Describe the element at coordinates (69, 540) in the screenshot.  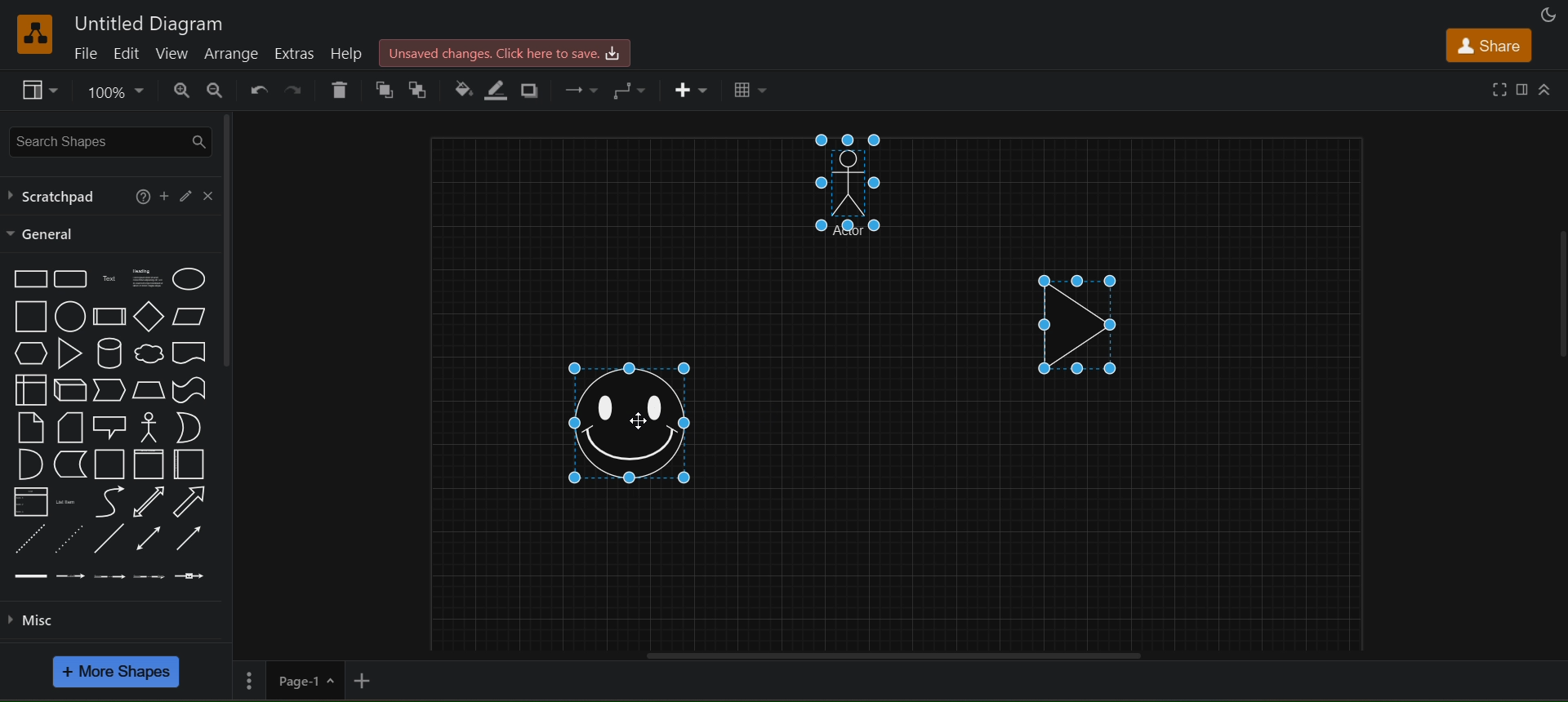
I see `dotted line` at that location.